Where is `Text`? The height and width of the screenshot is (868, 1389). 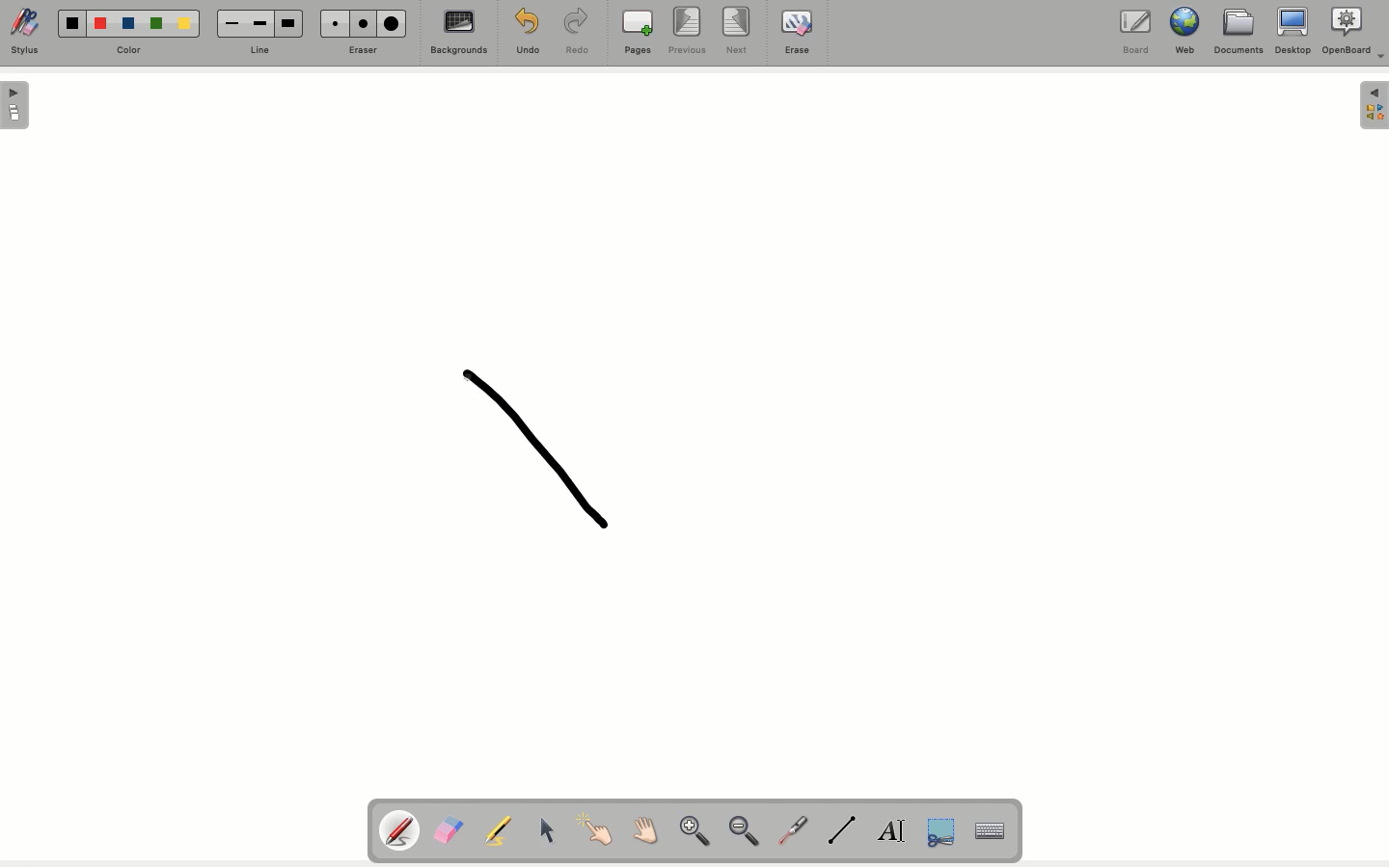 Text is located at coordinates (893, 830).